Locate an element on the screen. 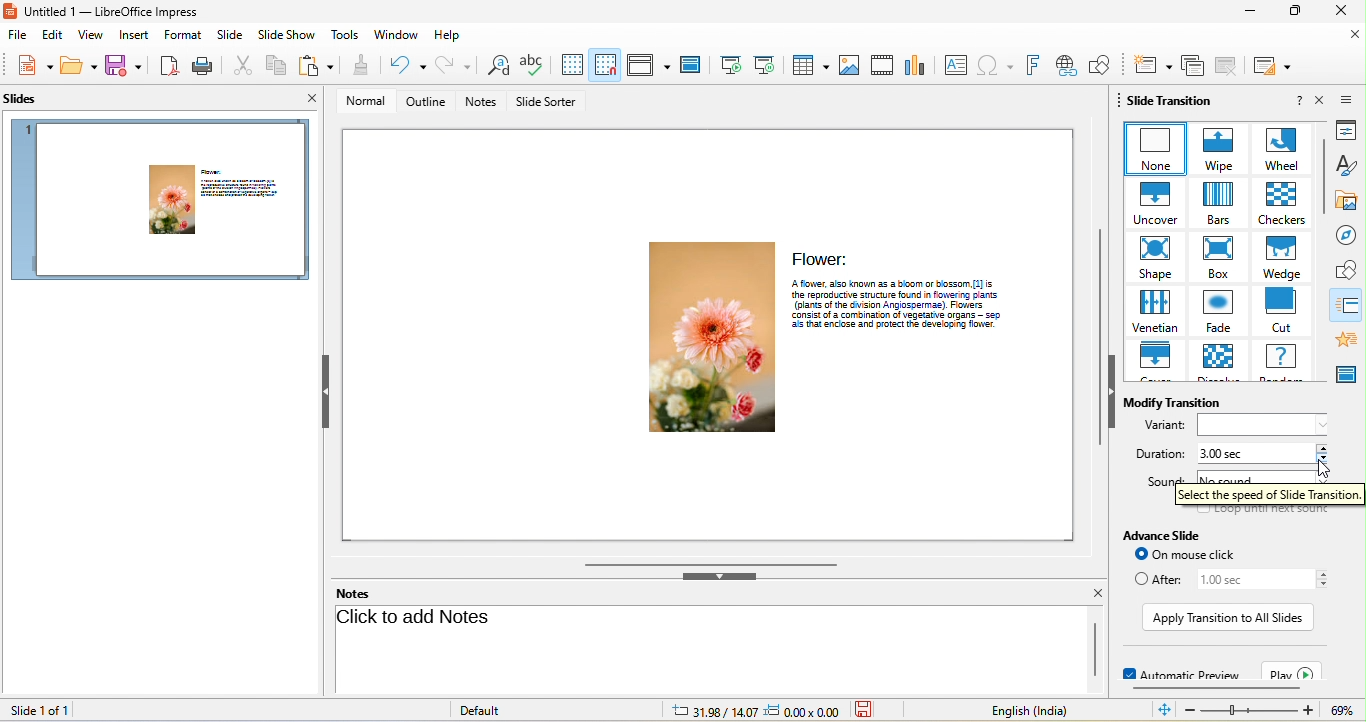  cut is located at coordinates (236, 65).